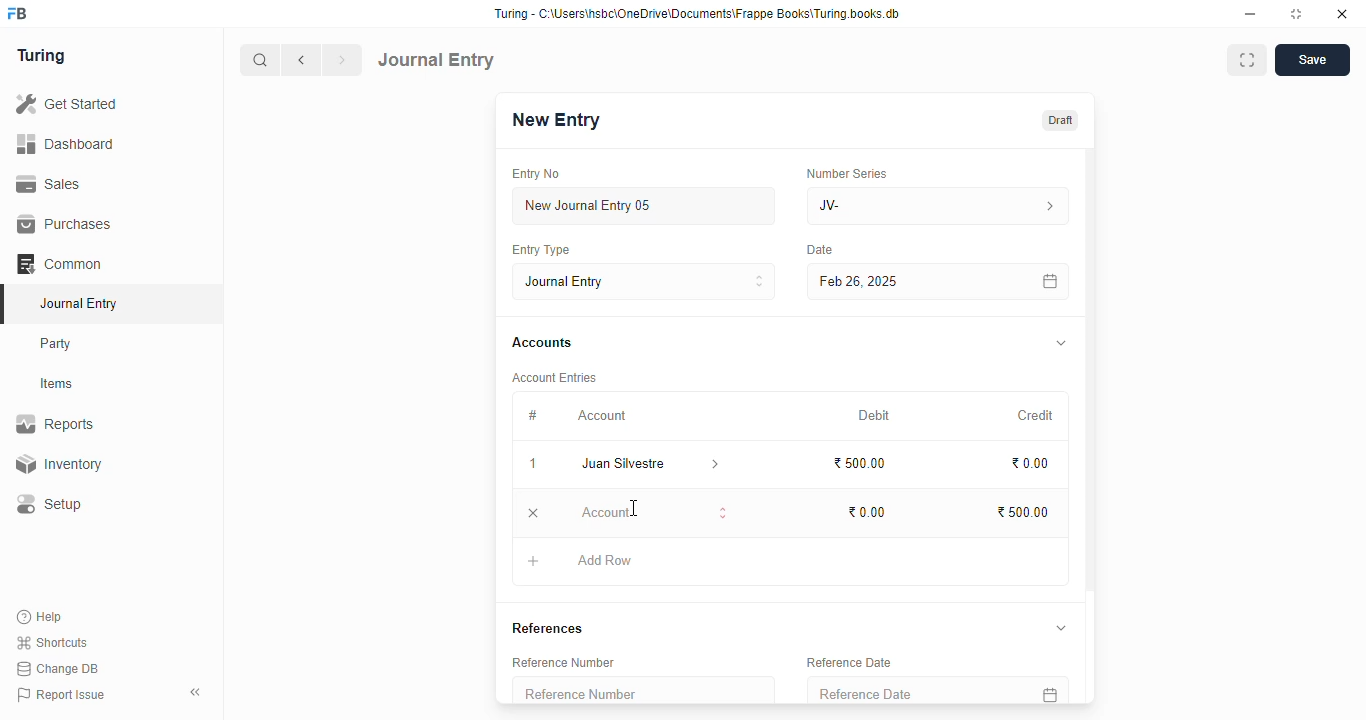  I want to click on Feb 26, 2025, so click(895, 281).